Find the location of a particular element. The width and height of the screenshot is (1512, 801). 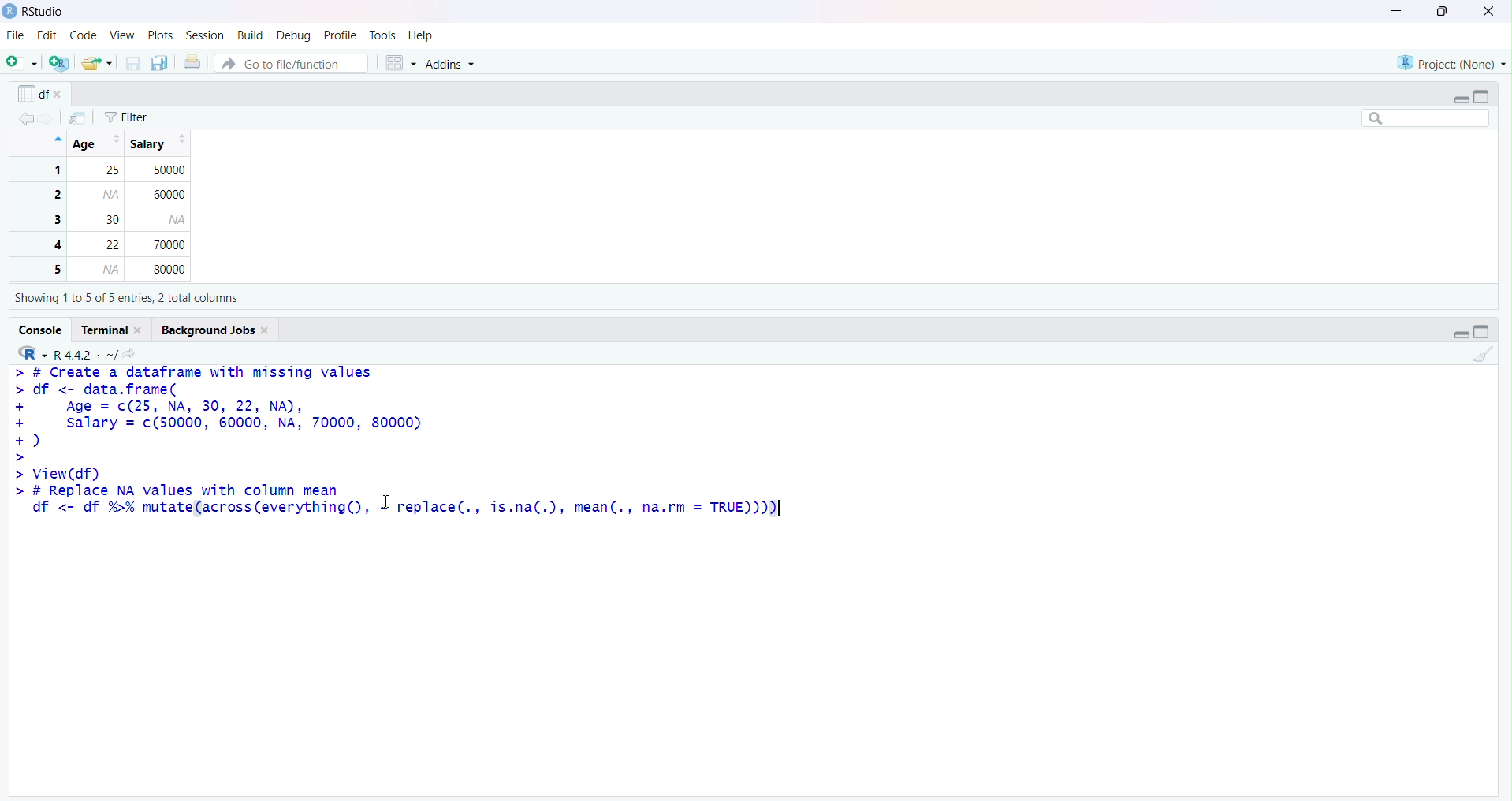

Session is located at coordinates (203, 35).